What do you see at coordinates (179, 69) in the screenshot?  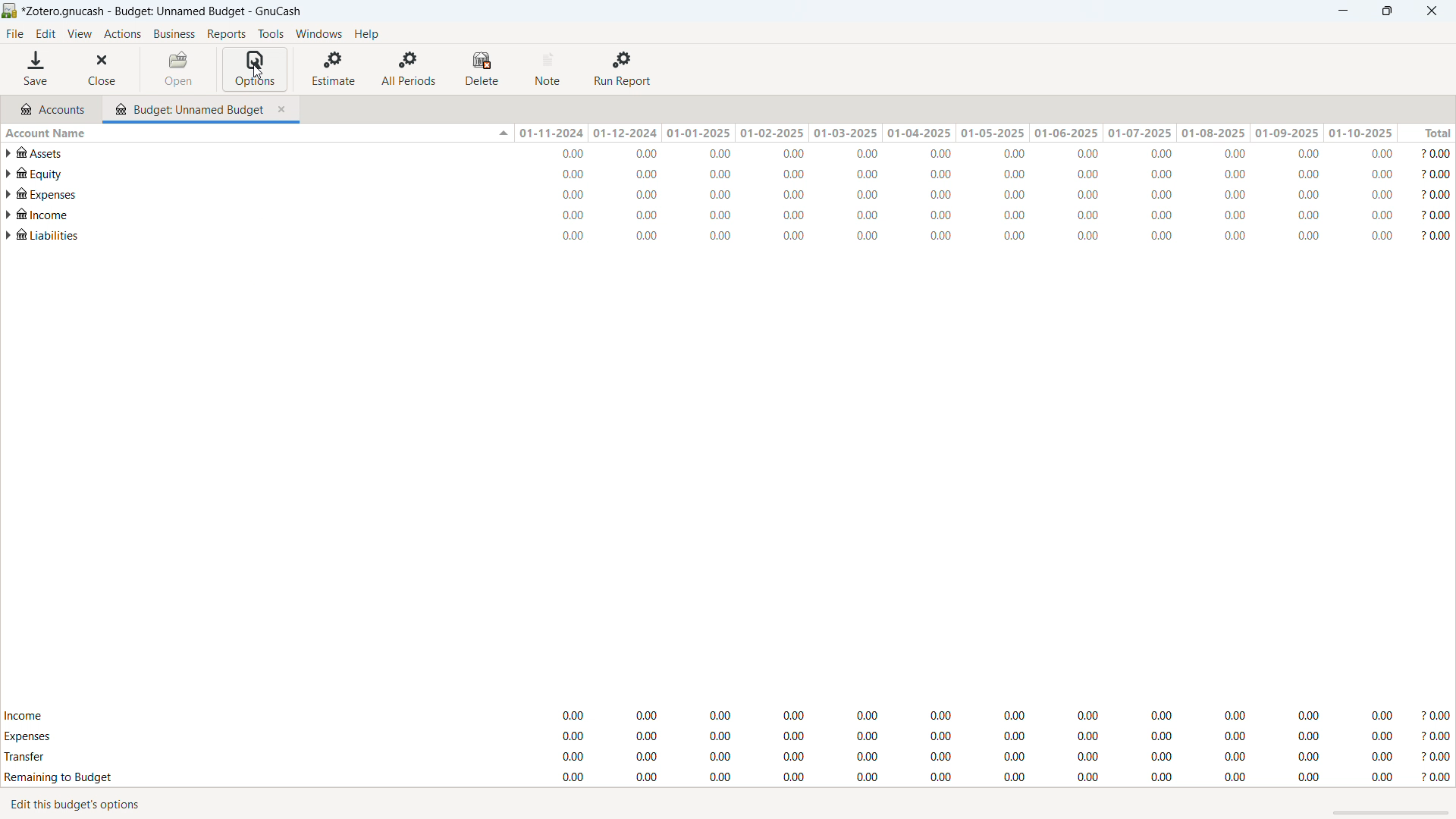 I see `open` at bounding box center [179, 69].